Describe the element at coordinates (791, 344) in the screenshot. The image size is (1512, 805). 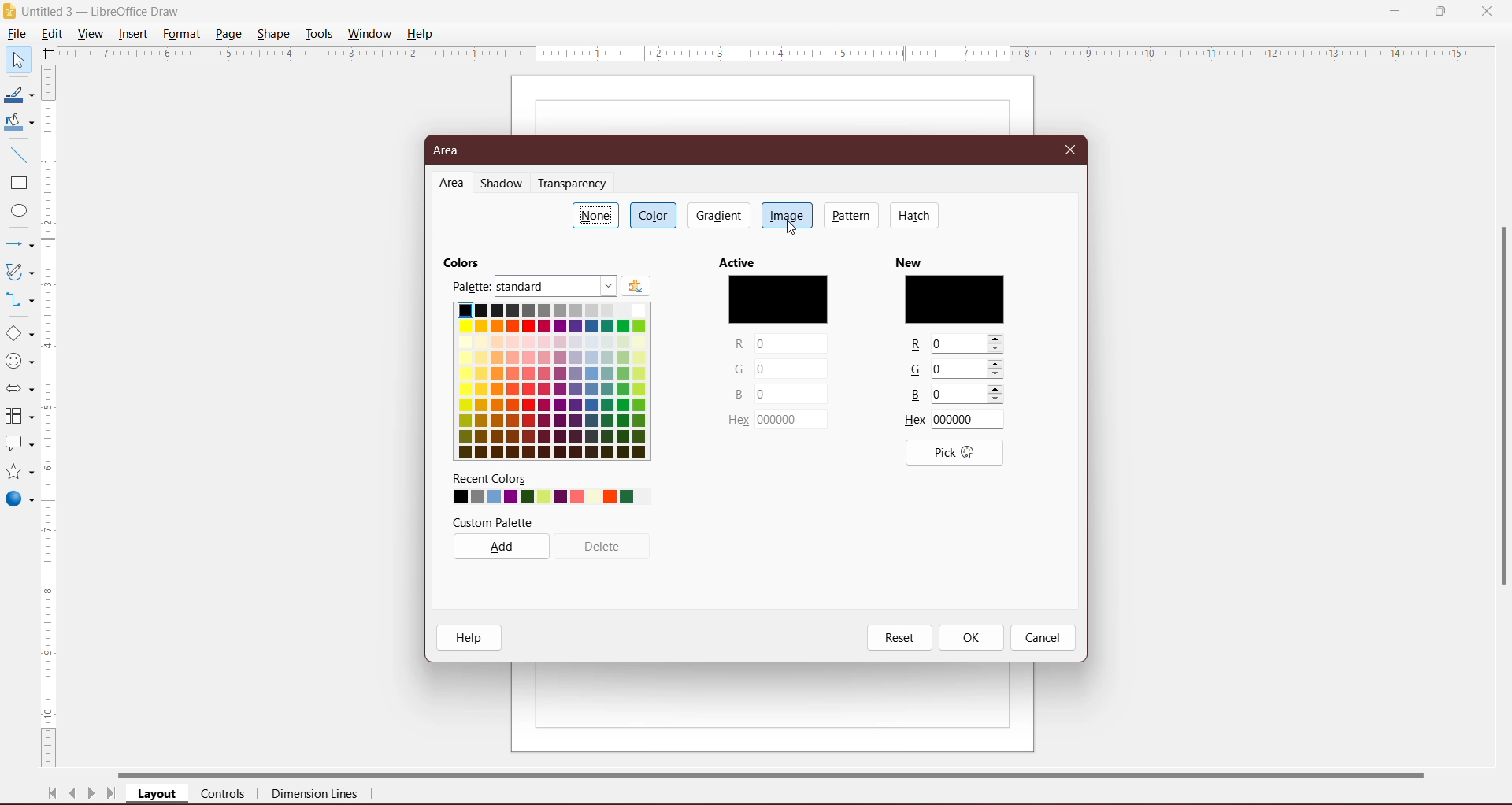
I see `0` at that location.